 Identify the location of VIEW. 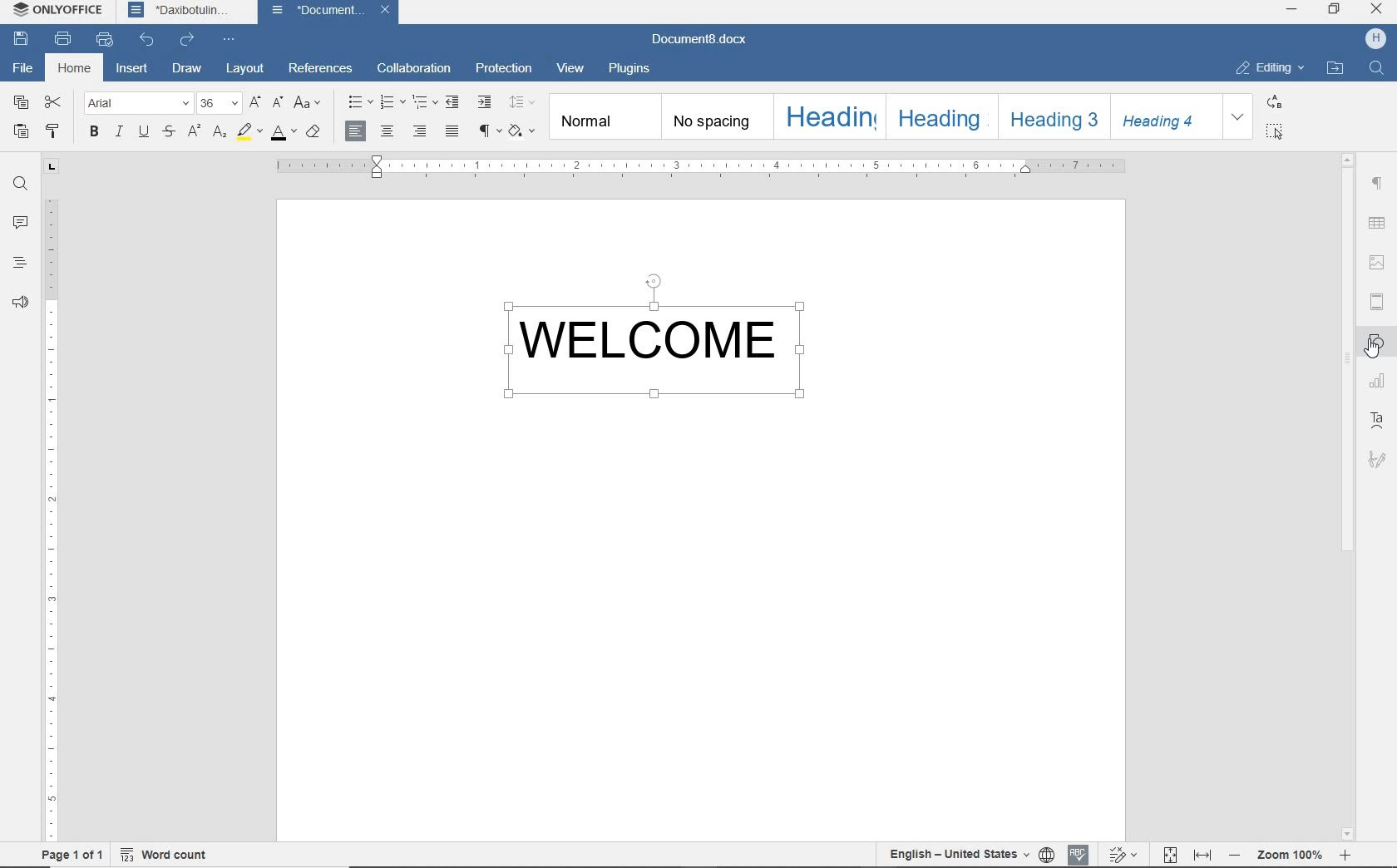
(570, 67).